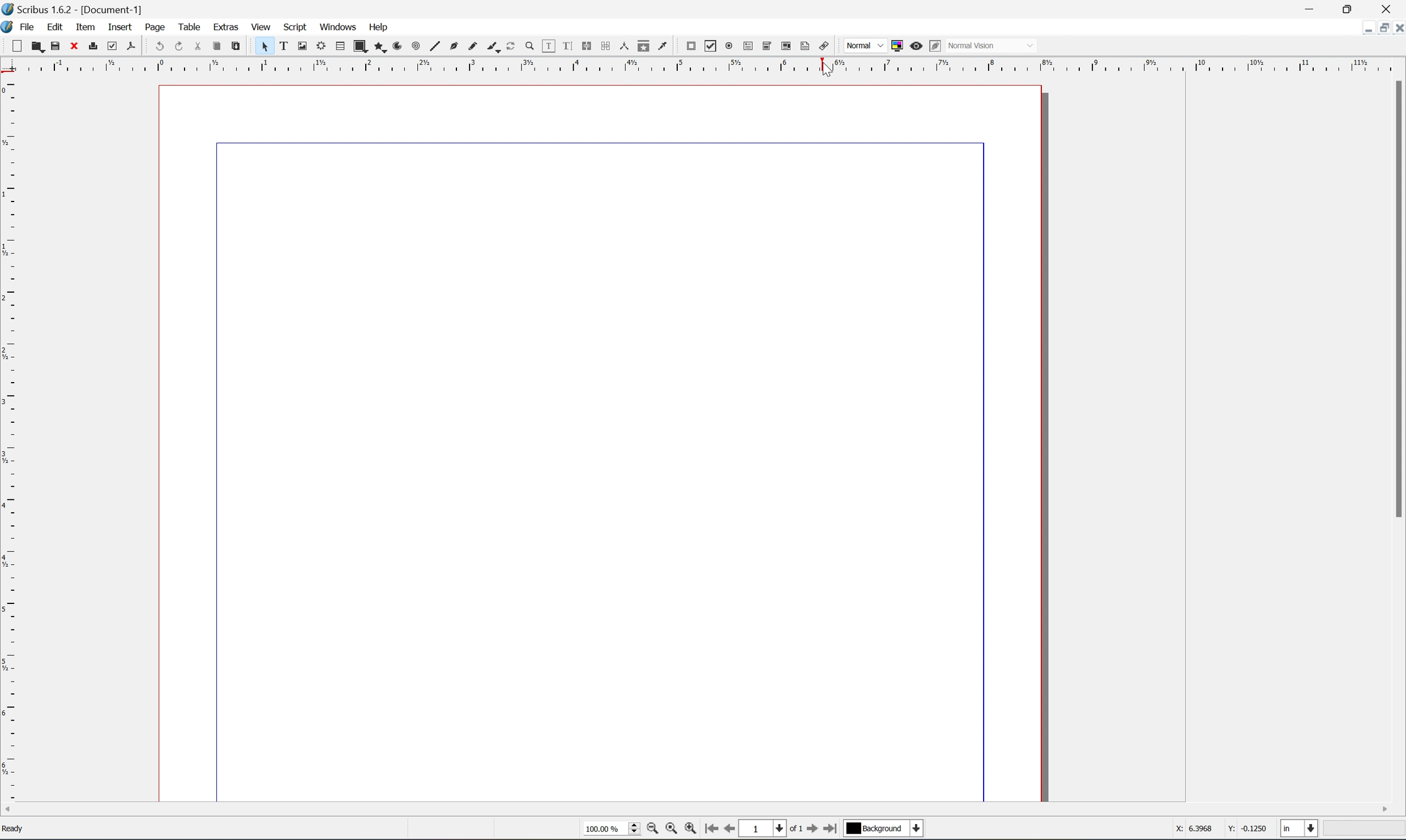 The height and width of the screenshot is (840, 1406). What do you see at coordinates (653, 830) in the screenshot?
I see `zoom out` at bounding box center [653, 830].